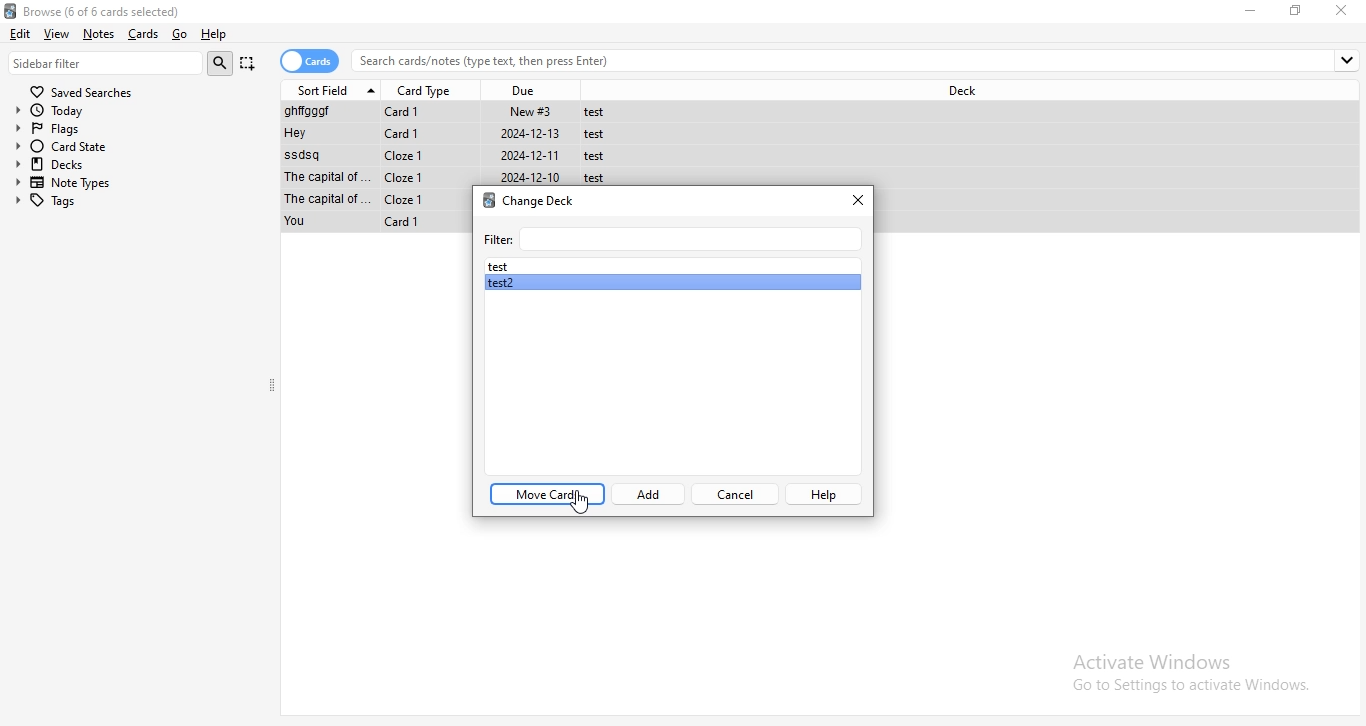  I want to click on notes, so click(102, 33).